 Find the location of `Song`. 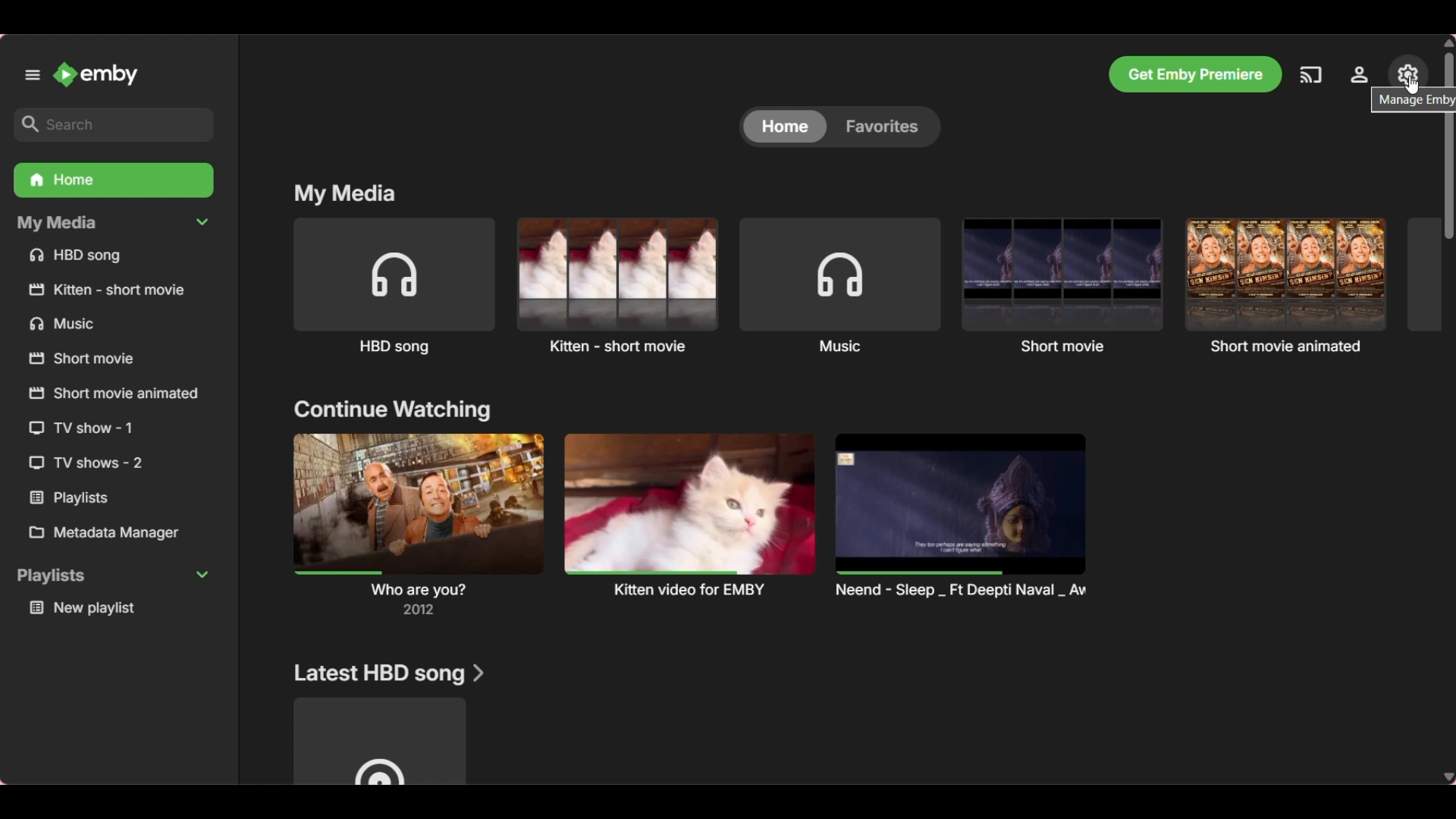

Song is located at coordinates (115, 255).